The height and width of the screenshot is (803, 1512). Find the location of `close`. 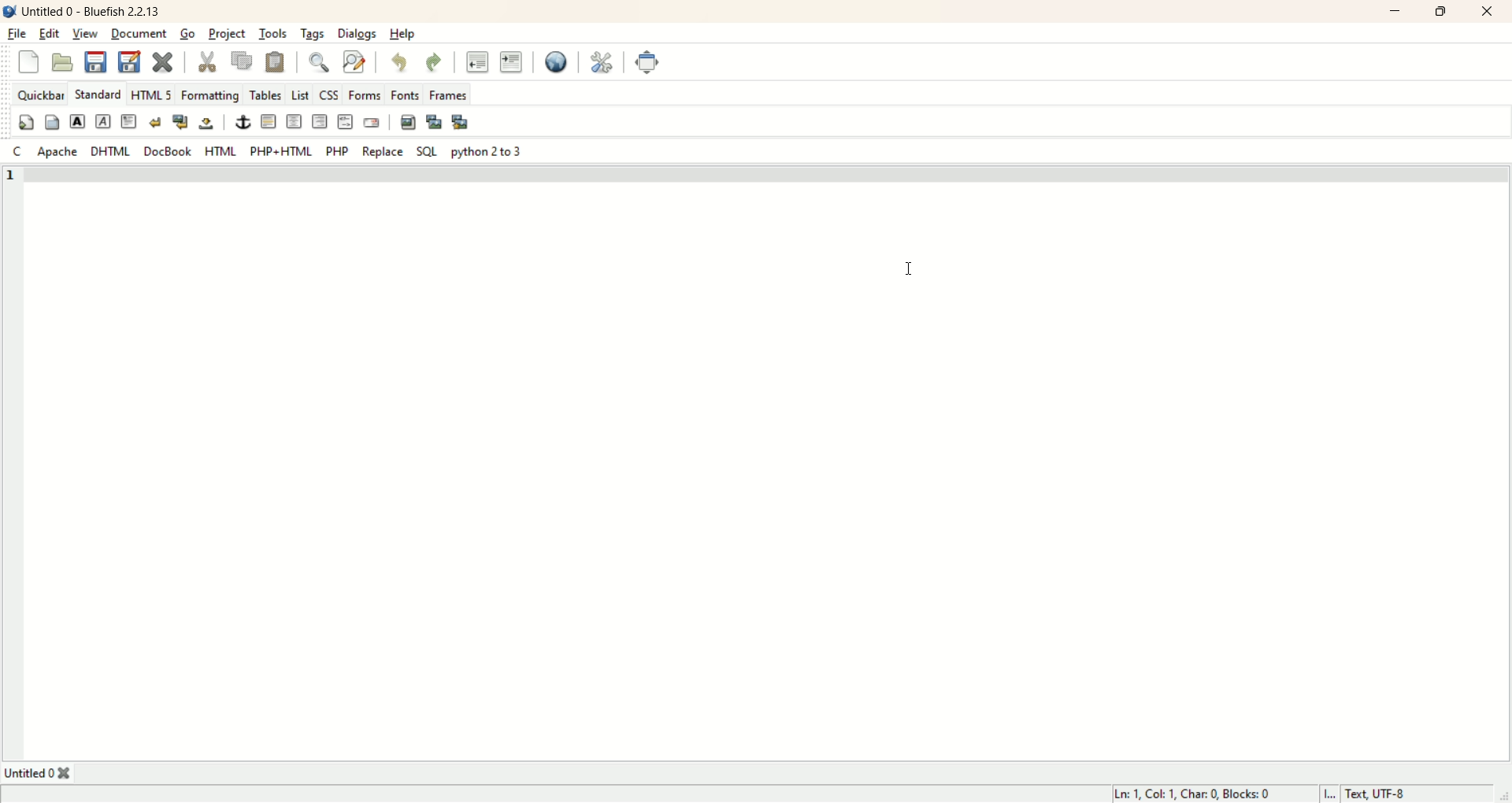

close is located at coordinates (1489, 11).